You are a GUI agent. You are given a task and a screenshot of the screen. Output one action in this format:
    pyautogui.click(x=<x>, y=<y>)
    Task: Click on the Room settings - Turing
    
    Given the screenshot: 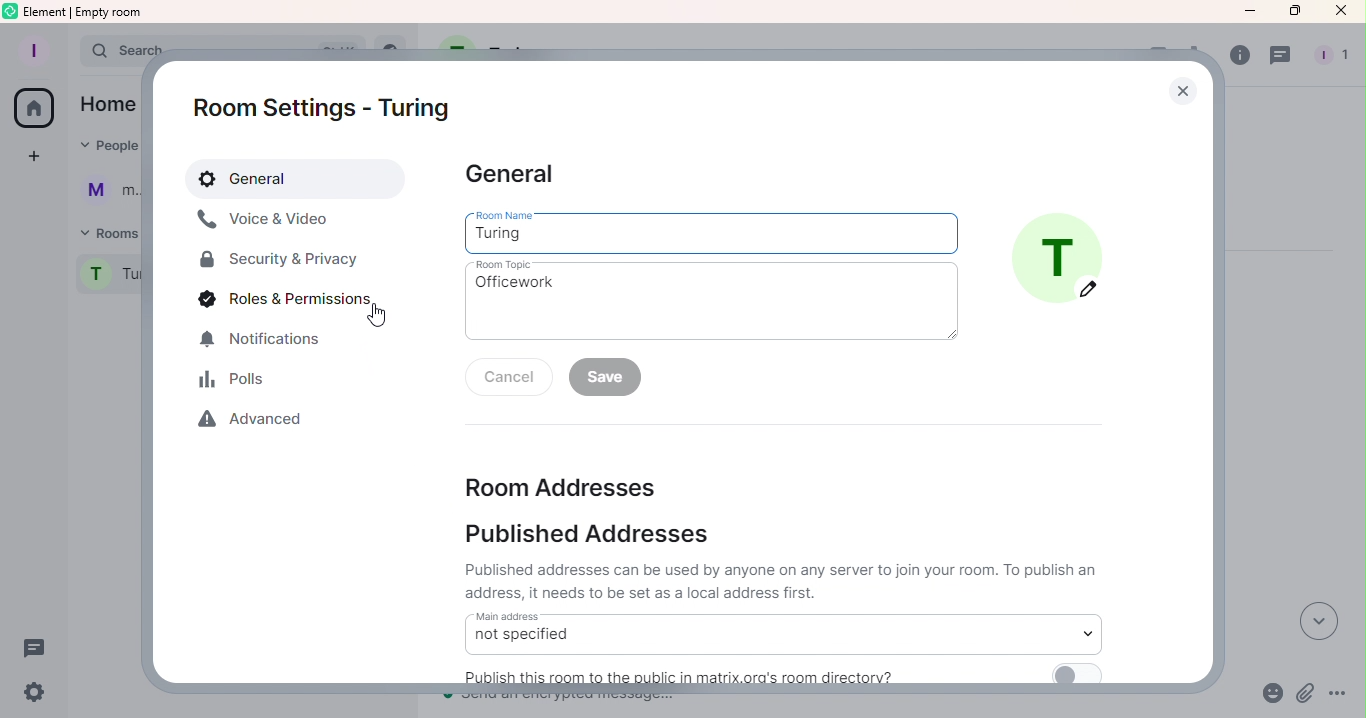 What is the action you would take?
    pyautogui.click(x=322, y=102)
    